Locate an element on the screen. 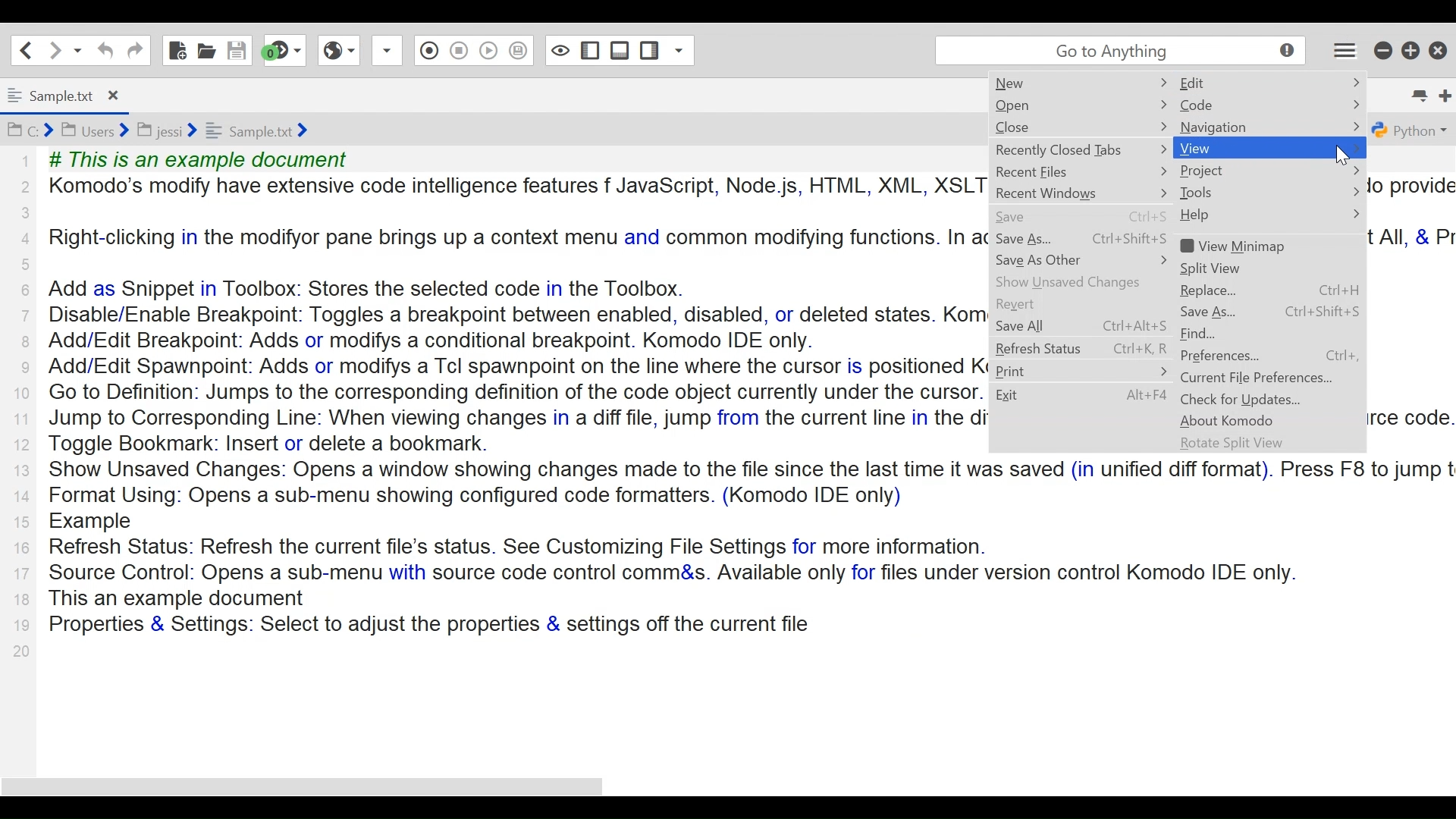 Image resolution: width=1456 pixels, height=819 pixels. Cursor is located at coordinates (1348, 155).